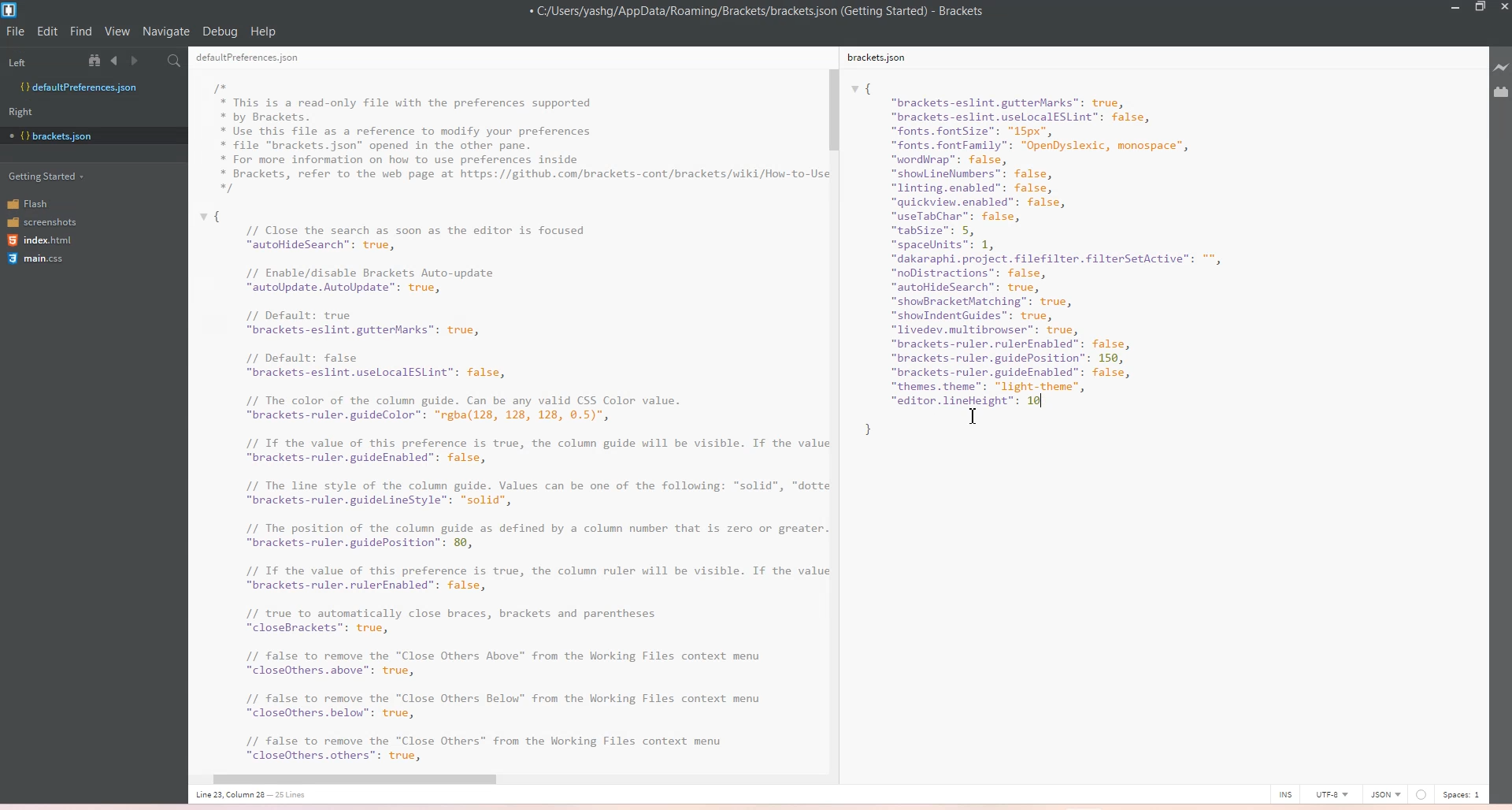 The height and width of the screenshot is (810, 1512). What do you see at coordinates (506, 419) in the screenshot?
I see `defaultPreferences.json

I”

* This is a read-only file with the preferences supported

* by Brackets.

* Use this file as a reference to modify your preferences

* file "brackets.json" opened in the other pane.

* For more information on how to use preferences inside

* Brackets, refer to the web page at https://github.com/brackets-cont/brackets/wiki/How-to-Us

*

vi

// Close the search as soon as the editor is focused
“autoHideSearch”: true,
// Enable/disable Brackets Auto-update
“autoUpdate. AutoUpdate”: true,
// Default: true
“brackets-eslint.gutterMarks”: true,
// Default: false
“brackets-eslint.uselocalESLint": false,
// The color of the column guide. Can be any valid CSS Color value.
“brackets-ruler.guideColor”: "rgba(128, 128, 128, 0.5)",
// Tf the value of this preference is true, the column guide will be visible. Tf the val.
“brackets-ruler.guideEnabled”: false,
// The line style of the column guide. Values can be one of the following: "solid", "dott
“brackets-ruler.guidelineStyle": "solid",
// The position of the column guide as defined by a column number that is zero or greater
“brackets-ruler.guidePosition”: 80,
// Tf the value of this preference is true, the column ruler will be visible. Tf the val.
“brackets-ruler.rulerEnabled”: false,
// true to automatically close braces, brackets and parentheses
“closeBrackets”: true,
// false to remove the "Close Others Above” from the Working Files context menu
“closeOthers.above”: true,
// false to remove the "Close Others Below” from the Working Files context menu
“closeOthers.below": true,
// false to remove the "Close Others” from the Working Files context menu
“closeOthers.others”: true,` at bounding box center [506, 419].